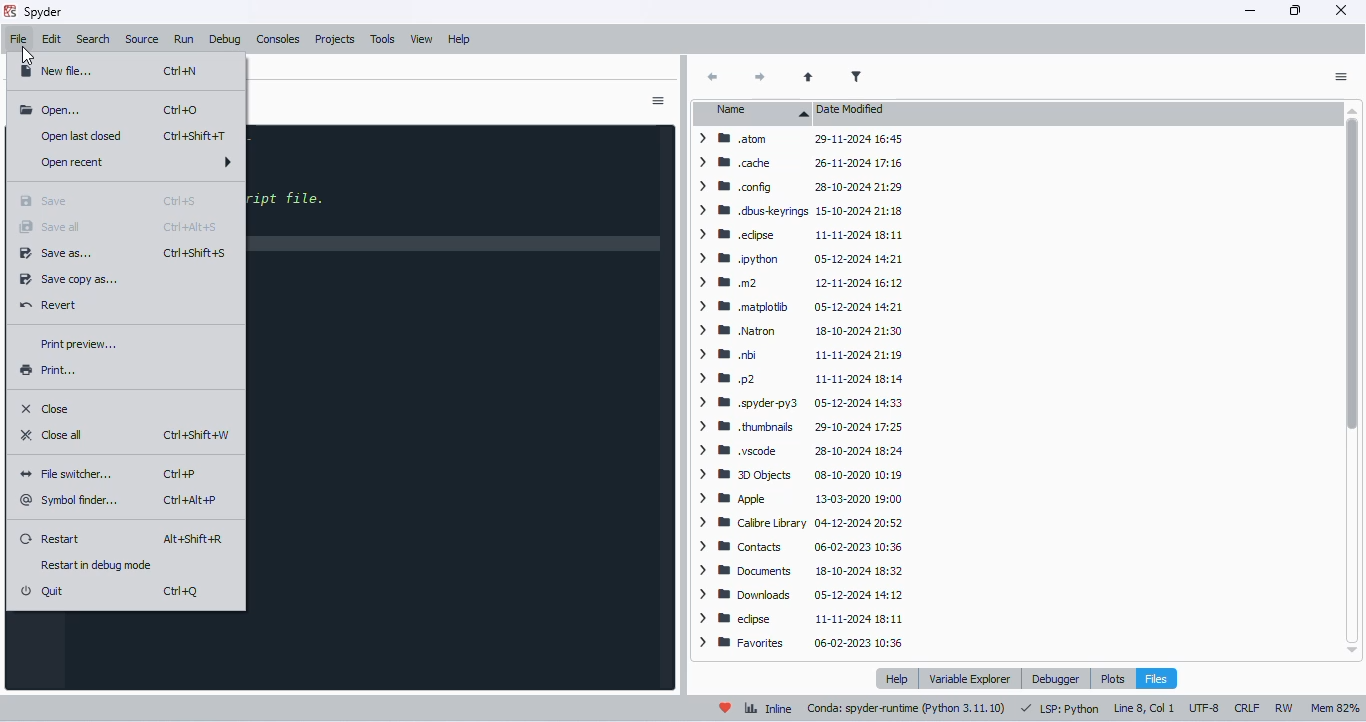 This screenshot has height=722, width=1366. What do you see at coordinates (1247, 708) in the screenshot?
I see `CRLF` at bounding box center [1247, 708].